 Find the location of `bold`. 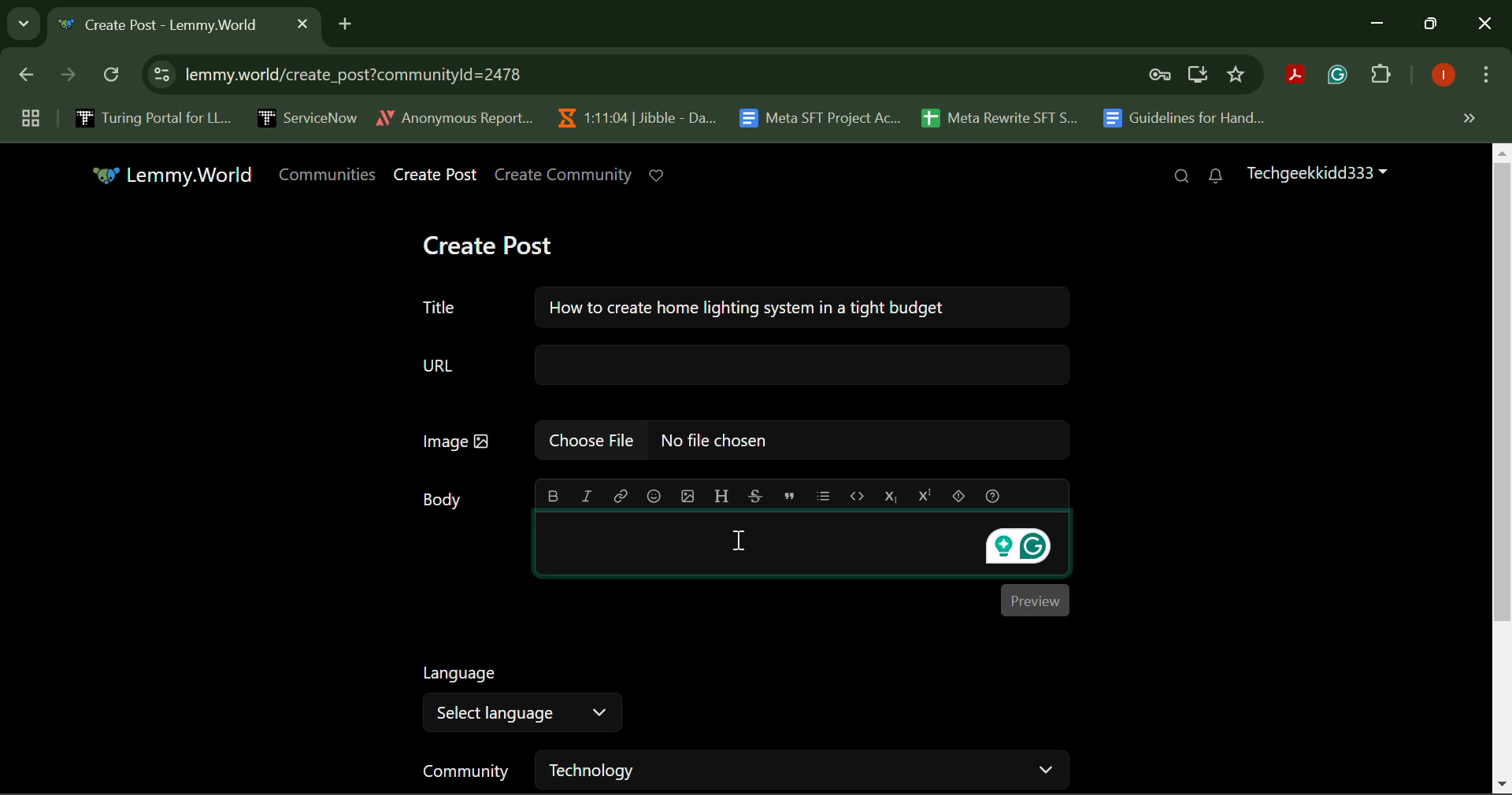

bold is located at coordinates (553, 496).